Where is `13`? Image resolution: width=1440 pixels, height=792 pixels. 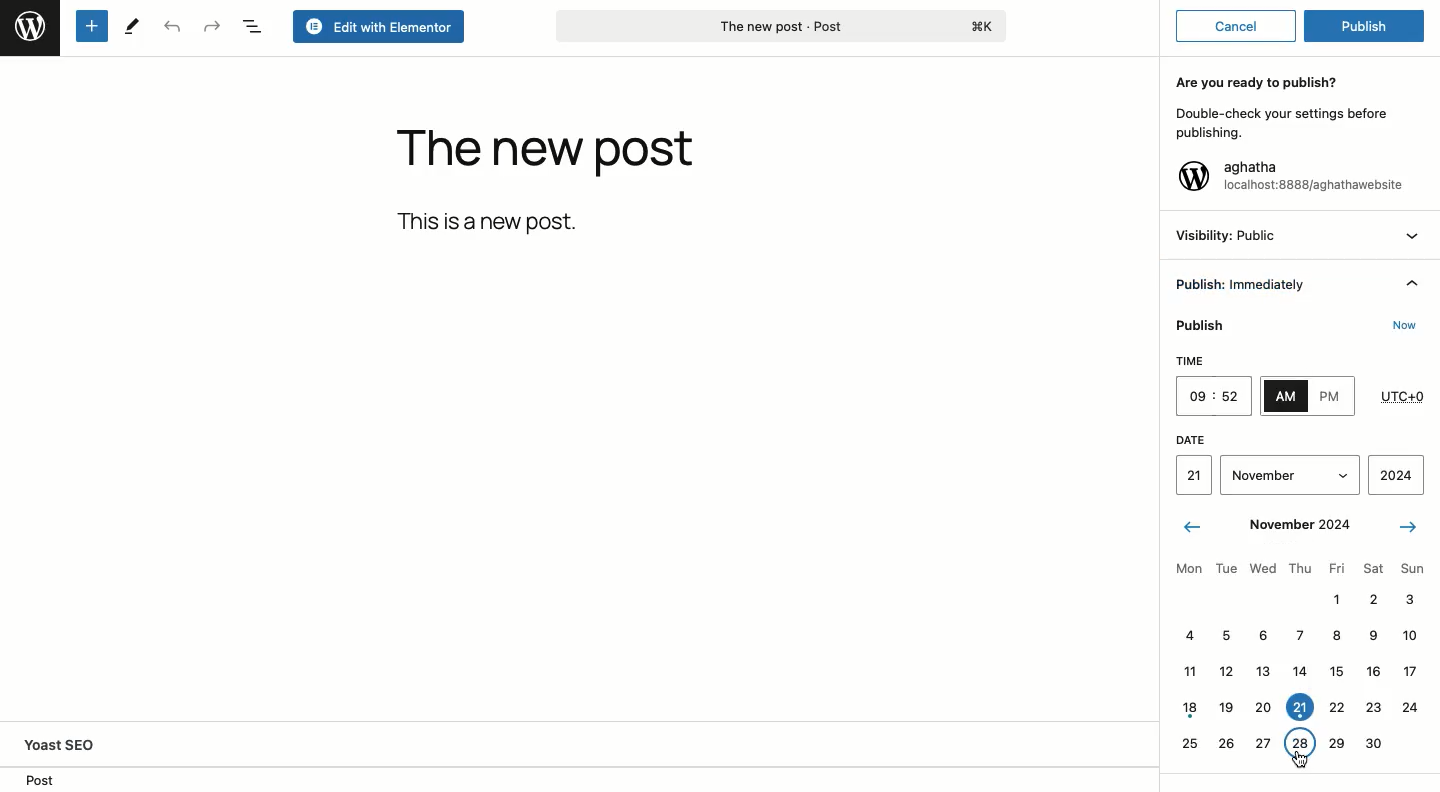 13 is located at coordinates (1258, 670).